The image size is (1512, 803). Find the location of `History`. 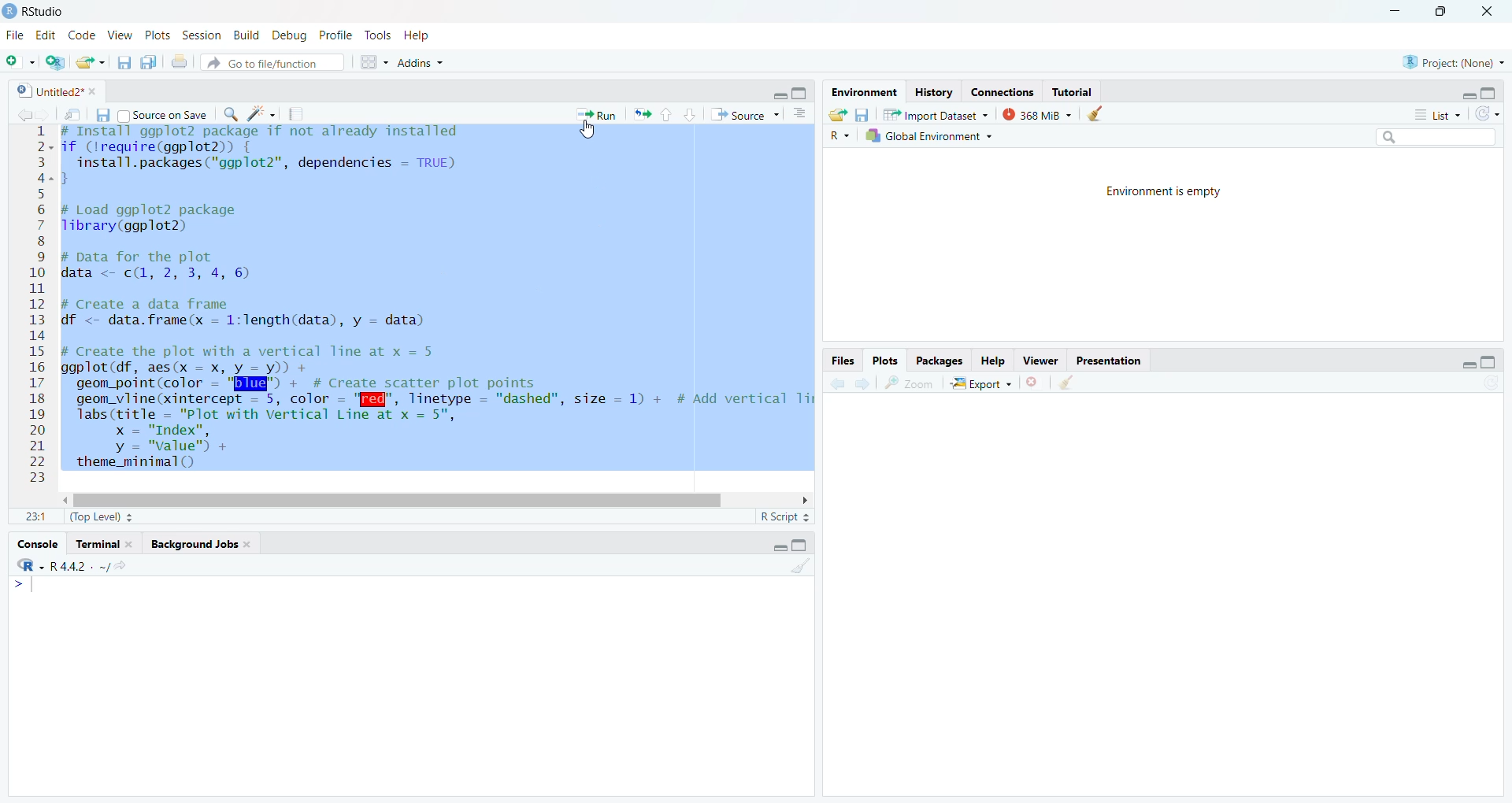

History is located at coordinates (936, 91).